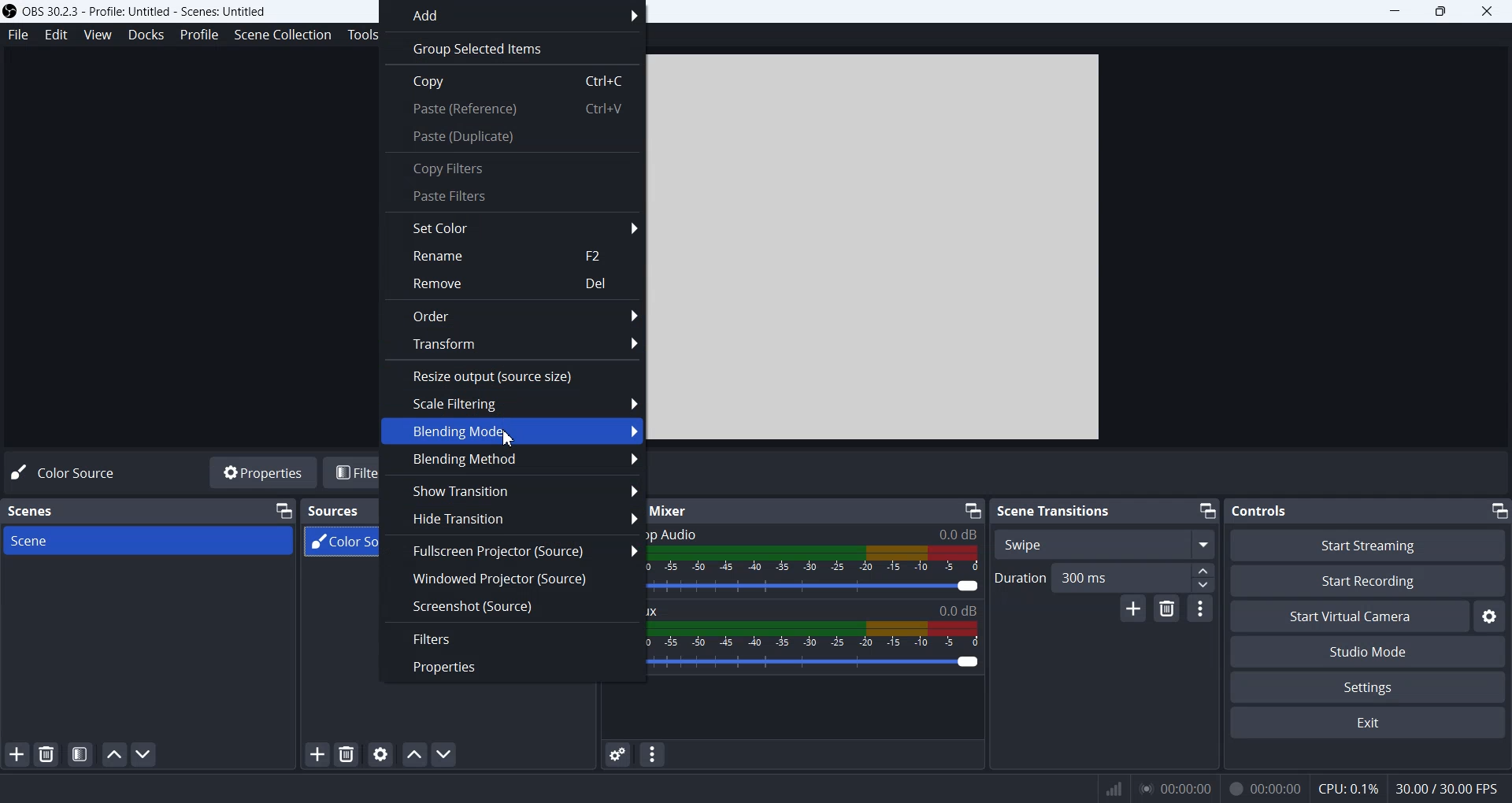 Image resolution: width=1512 pixels, height=803 pixels. What do you see at coordinates (1017, 578) in the screenshot?
I see `Duration` at bounding box center [1017, 578].